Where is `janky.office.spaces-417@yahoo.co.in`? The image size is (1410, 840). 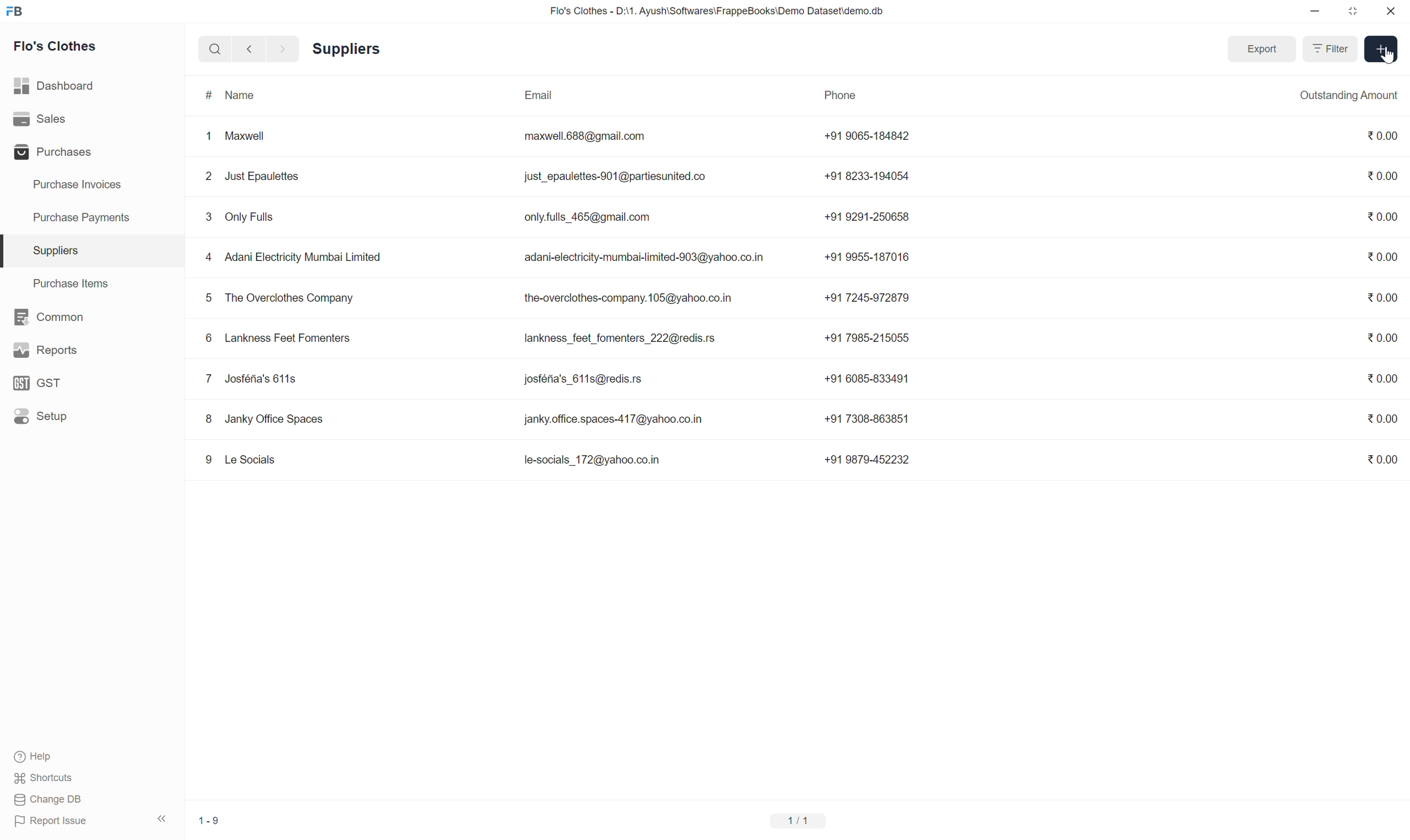
janky.office.spaces-417@yahoo.co.in is located at coordinates (614, 419).